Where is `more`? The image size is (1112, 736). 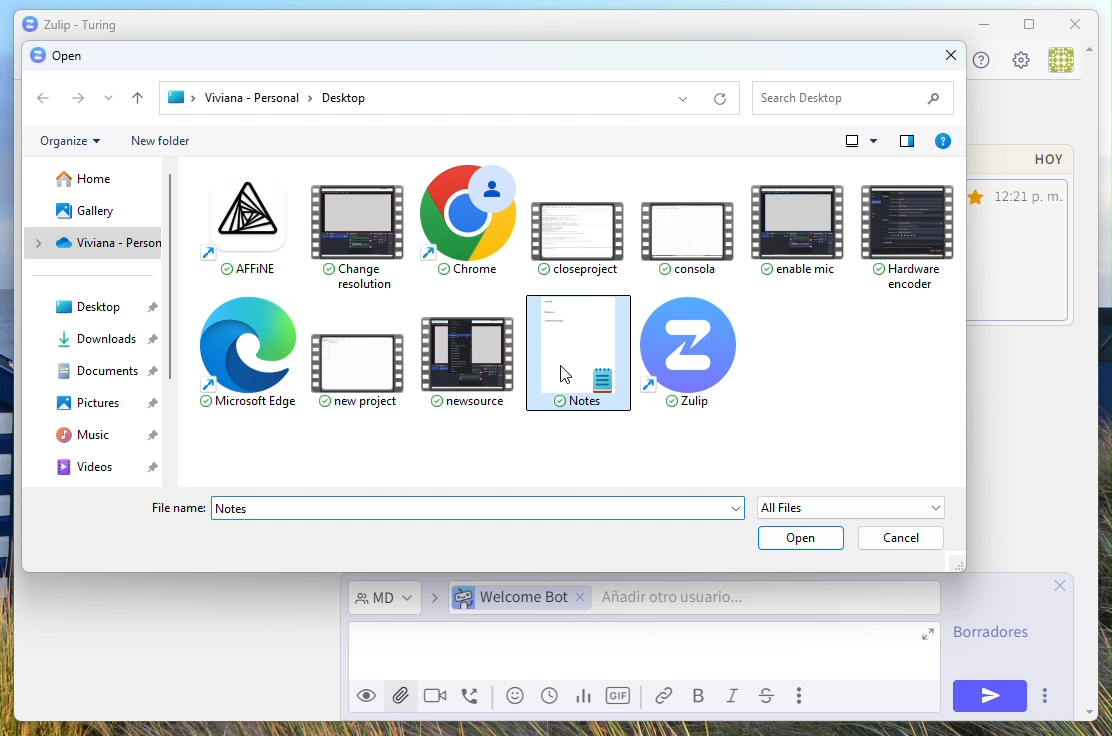 more is located at coordinates (1044, 696).